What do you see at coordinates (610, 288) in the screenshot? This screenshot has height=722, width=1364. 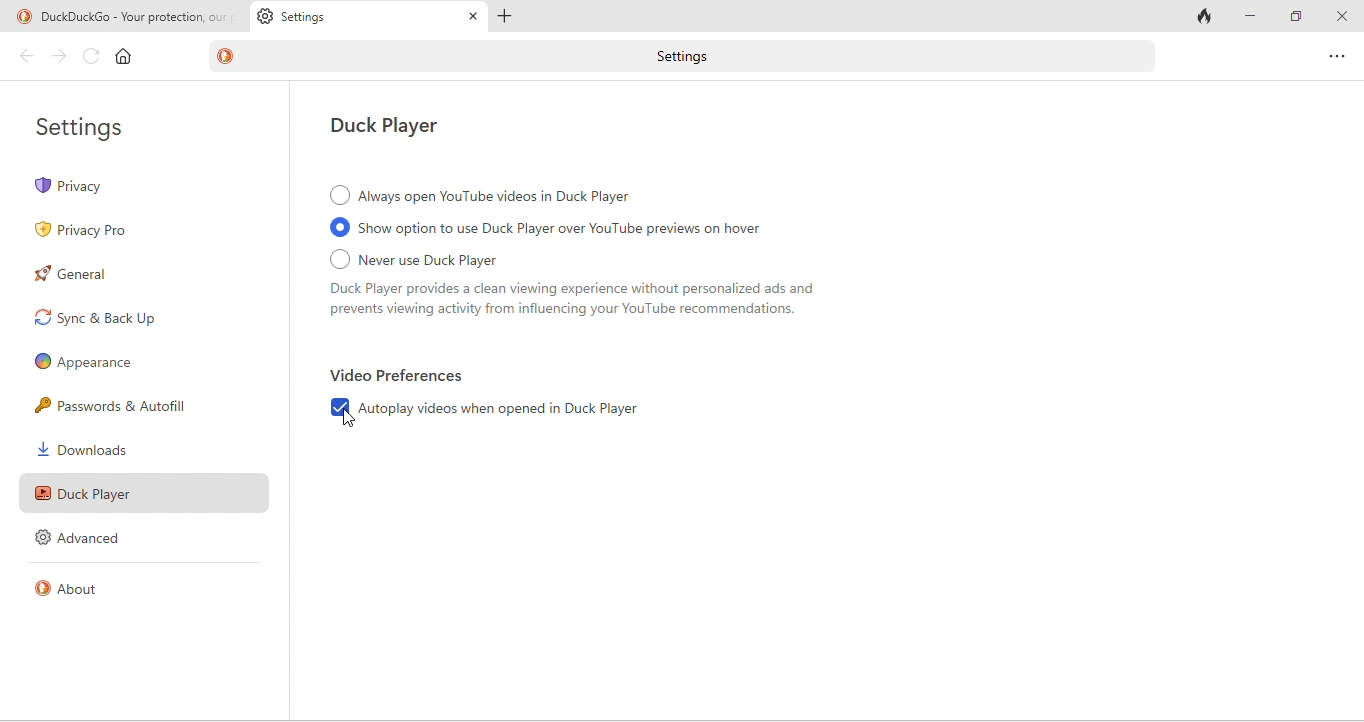 I see `never use duckplayer` at bounding box center [610, 288].